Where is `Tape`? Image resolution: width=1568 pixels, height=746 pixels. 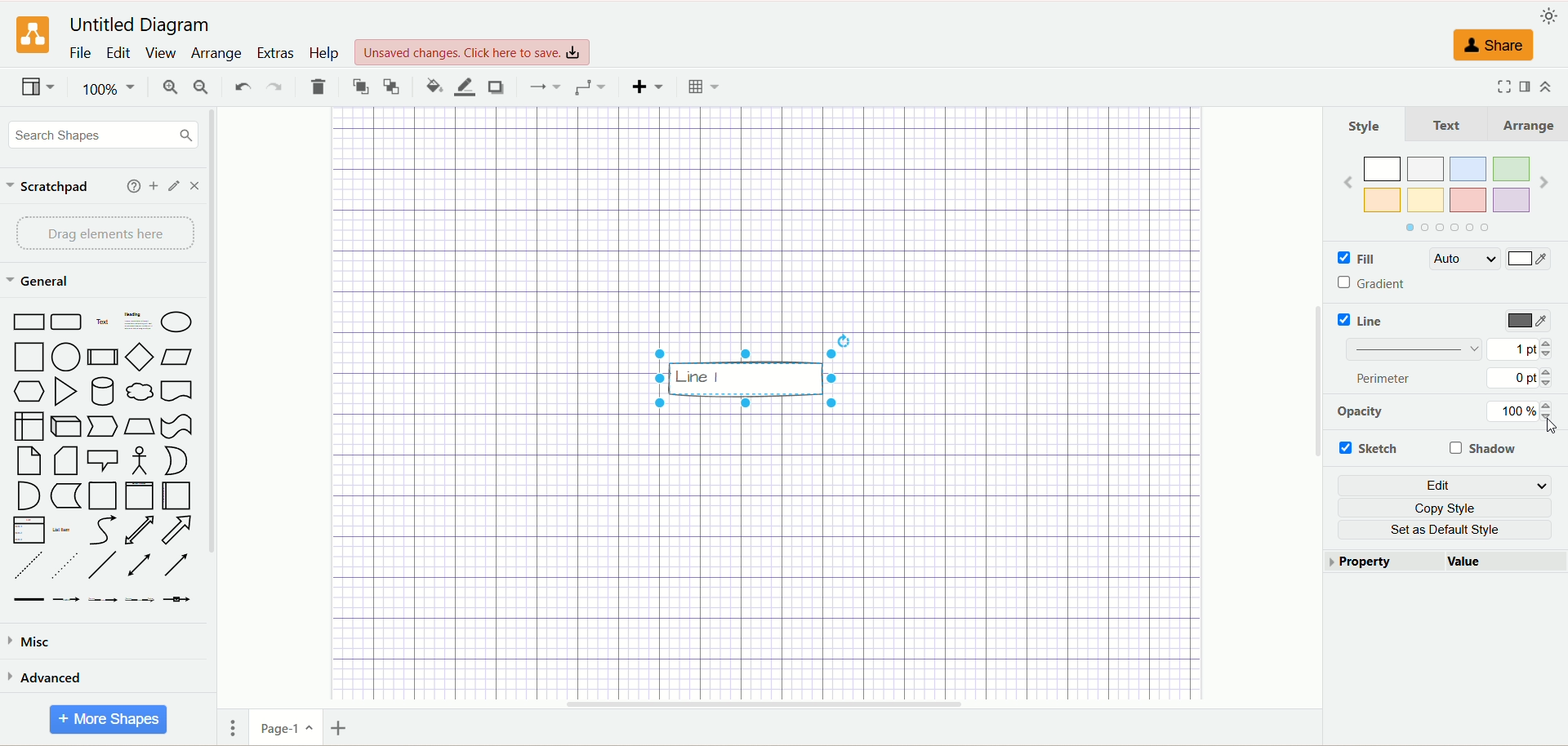 Tape is located at coordinates (176, 426).